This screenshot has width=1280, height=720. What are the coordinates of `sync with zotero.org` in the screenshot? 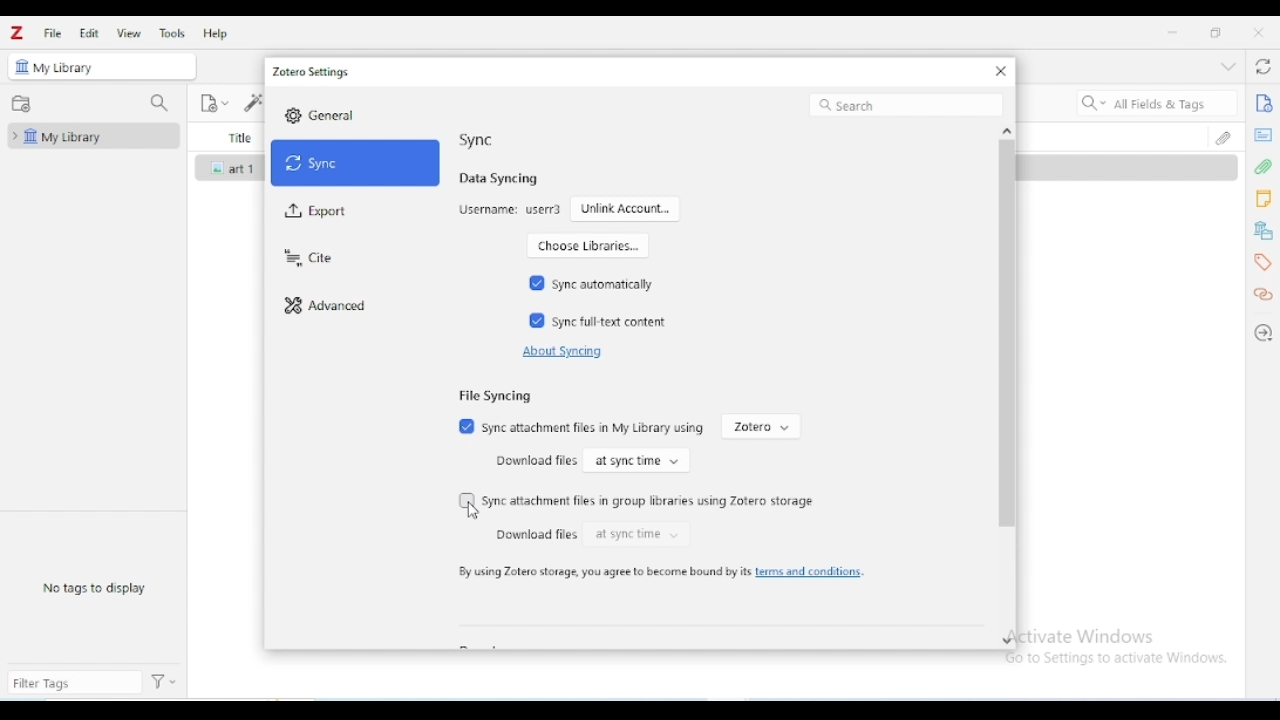 It's located at (1264, 66).